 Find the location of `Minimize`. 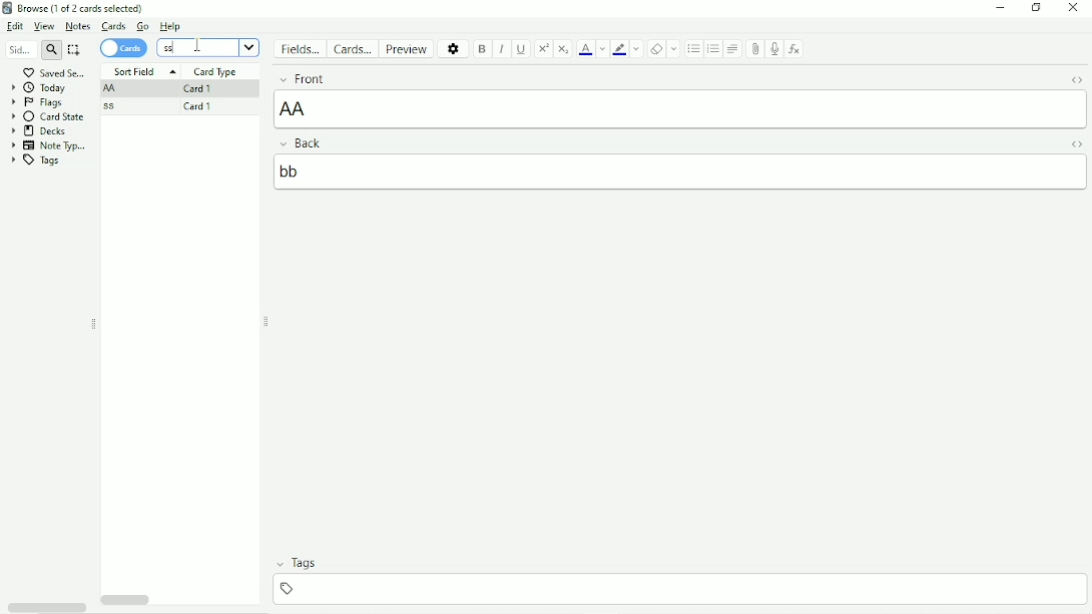

Minimize is located at coordinates (999, 8).